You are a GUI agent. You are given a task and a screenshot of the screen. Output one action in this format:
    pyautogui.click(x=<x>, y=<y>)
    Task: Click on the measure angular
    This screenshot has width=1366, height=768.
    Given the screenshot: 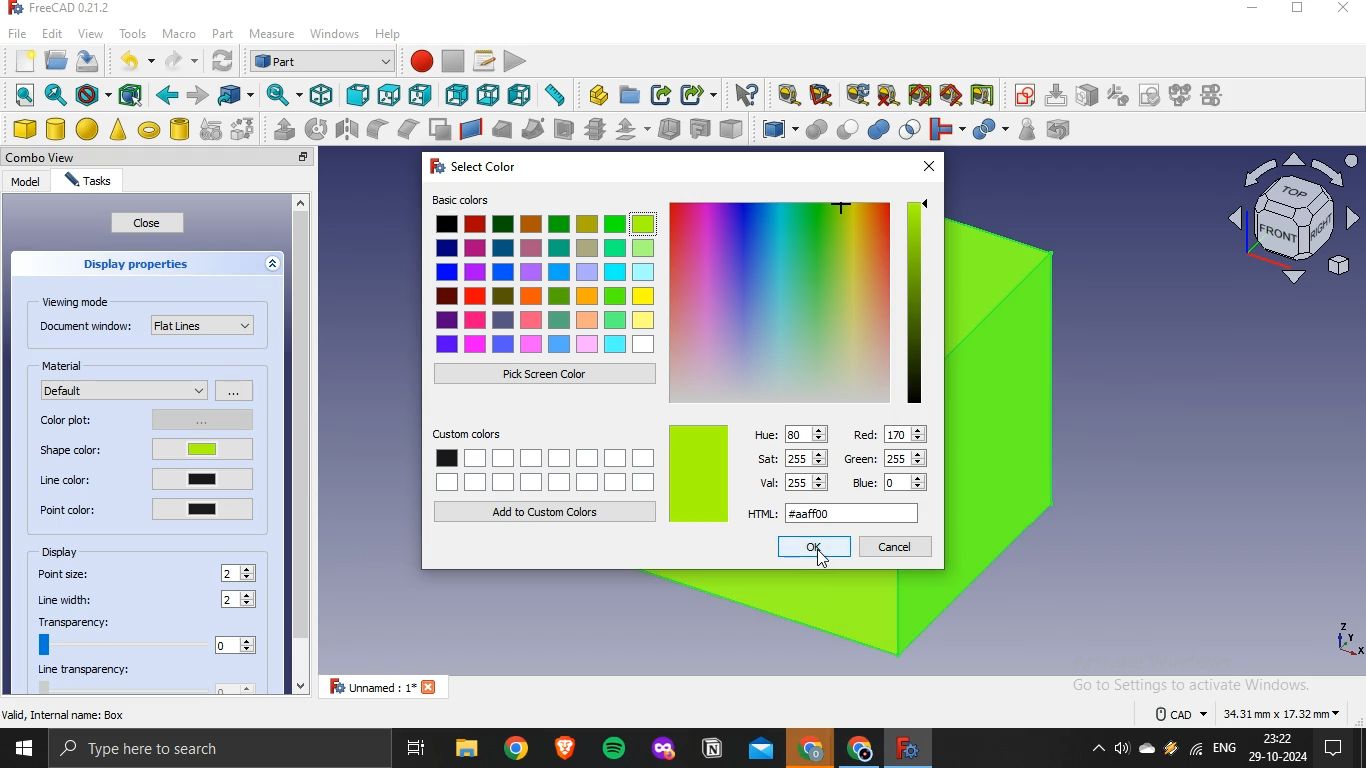 What is the action you would take?
    pyautogui.click(x=822, y=95)
    